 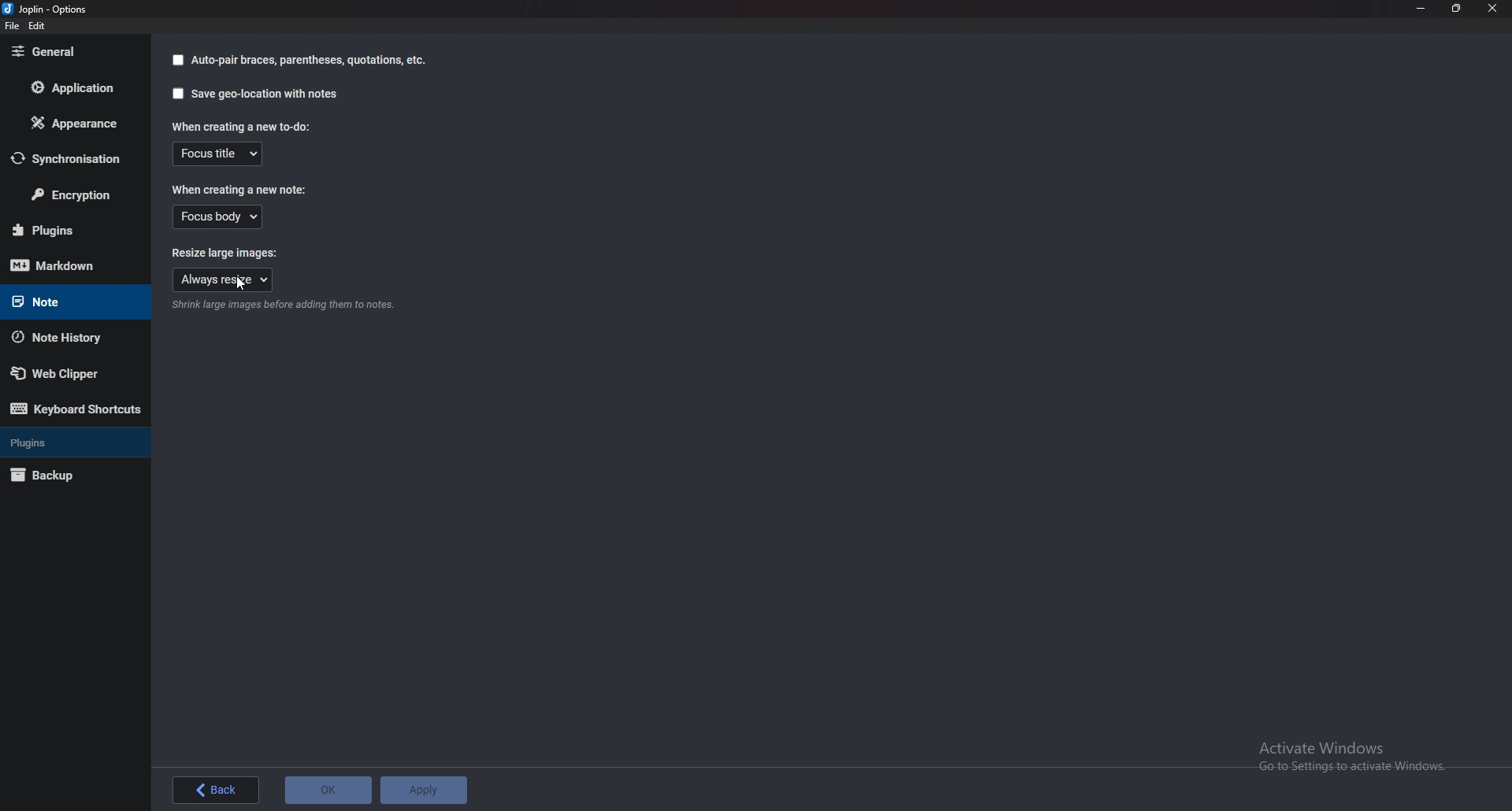 I want to click on Keyboard shortcuts, so click(x=76, y=412).